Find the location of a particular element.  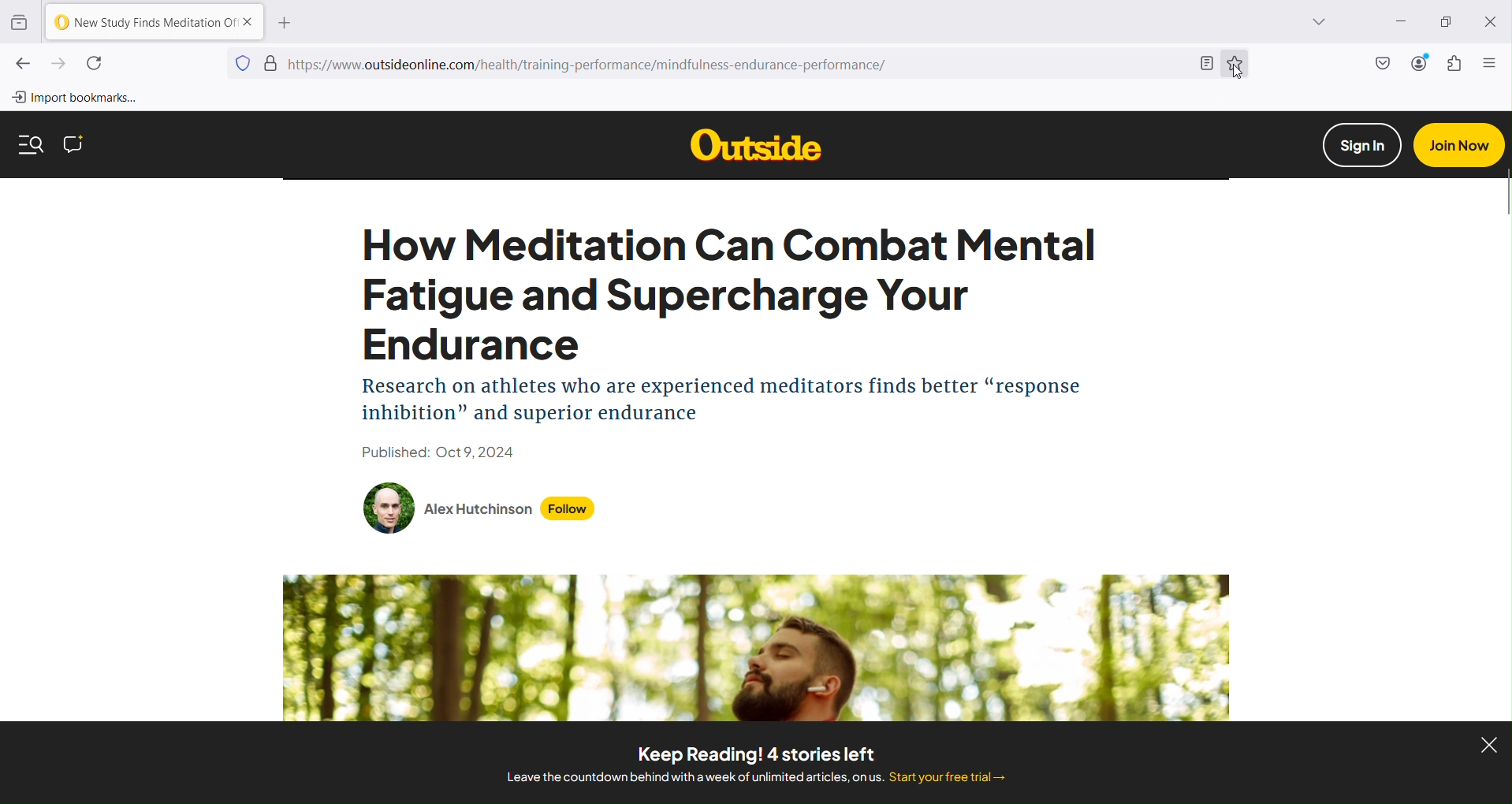

Sign in button is located at coordinates (1362, 145).